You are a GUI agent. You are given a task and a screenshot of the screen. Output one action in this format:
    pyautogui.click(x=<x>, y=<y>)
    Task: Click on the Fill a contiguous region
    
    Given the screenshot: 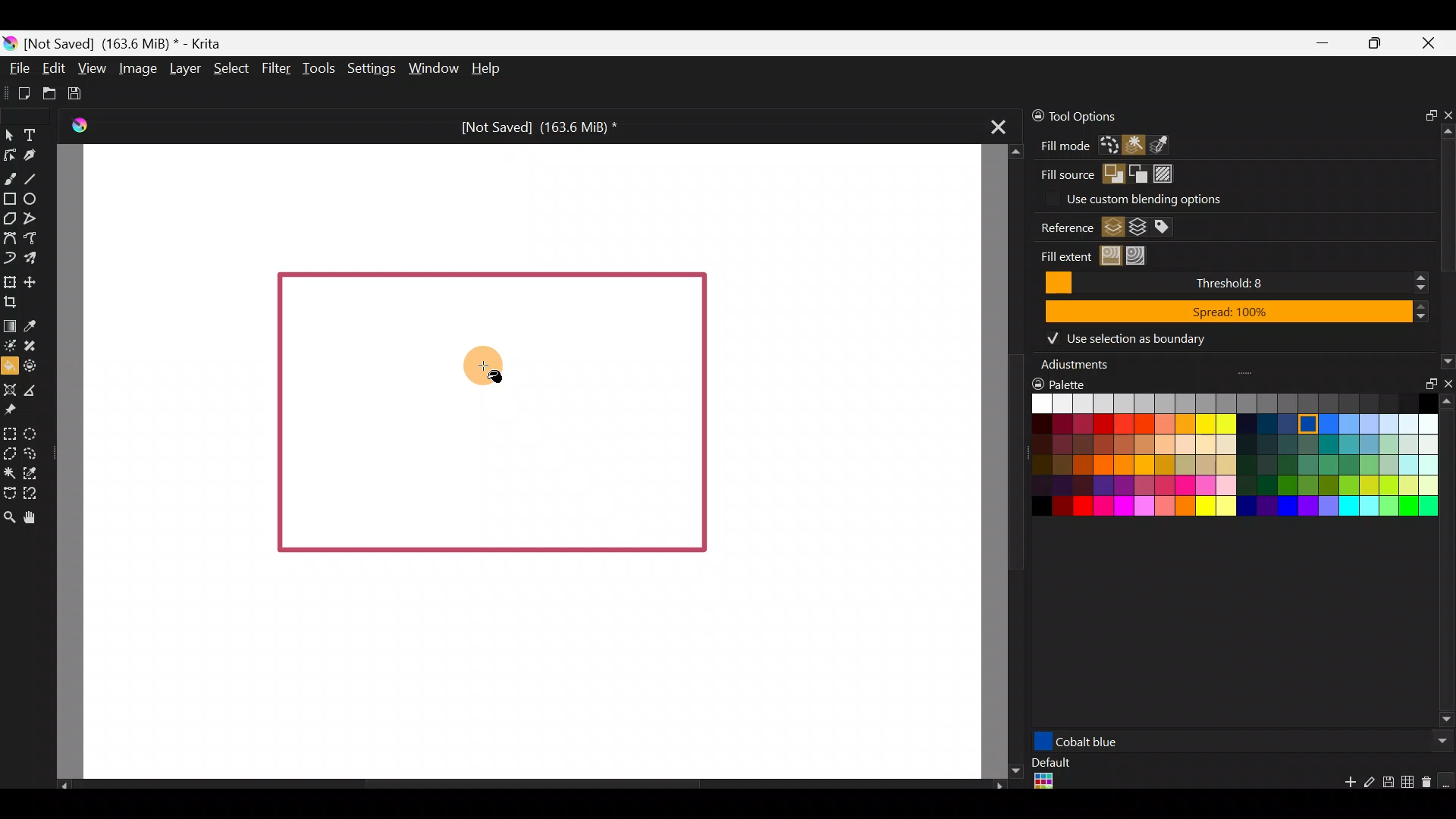 What is the action you would take?
    pyautogui.click(x=1135, y=146)
    